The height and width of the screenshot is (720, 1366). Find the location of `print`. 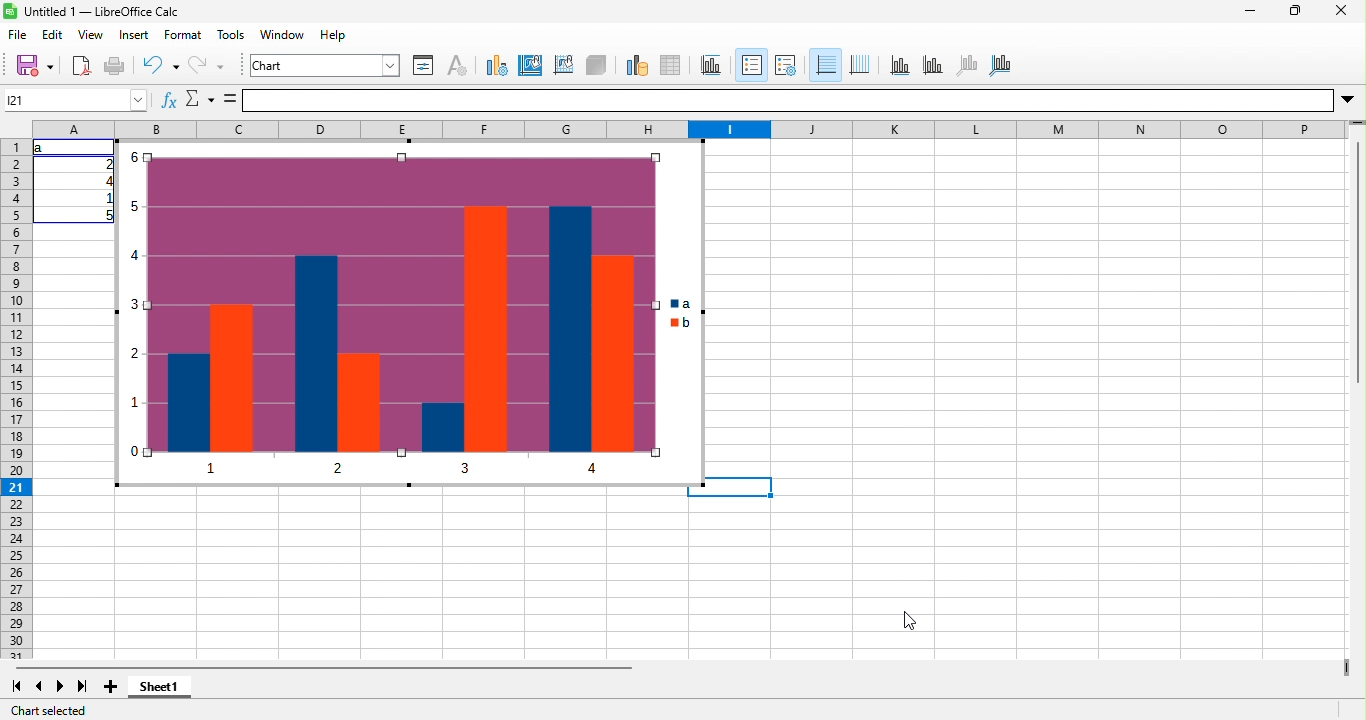

print is located at coordinates (114, 66).